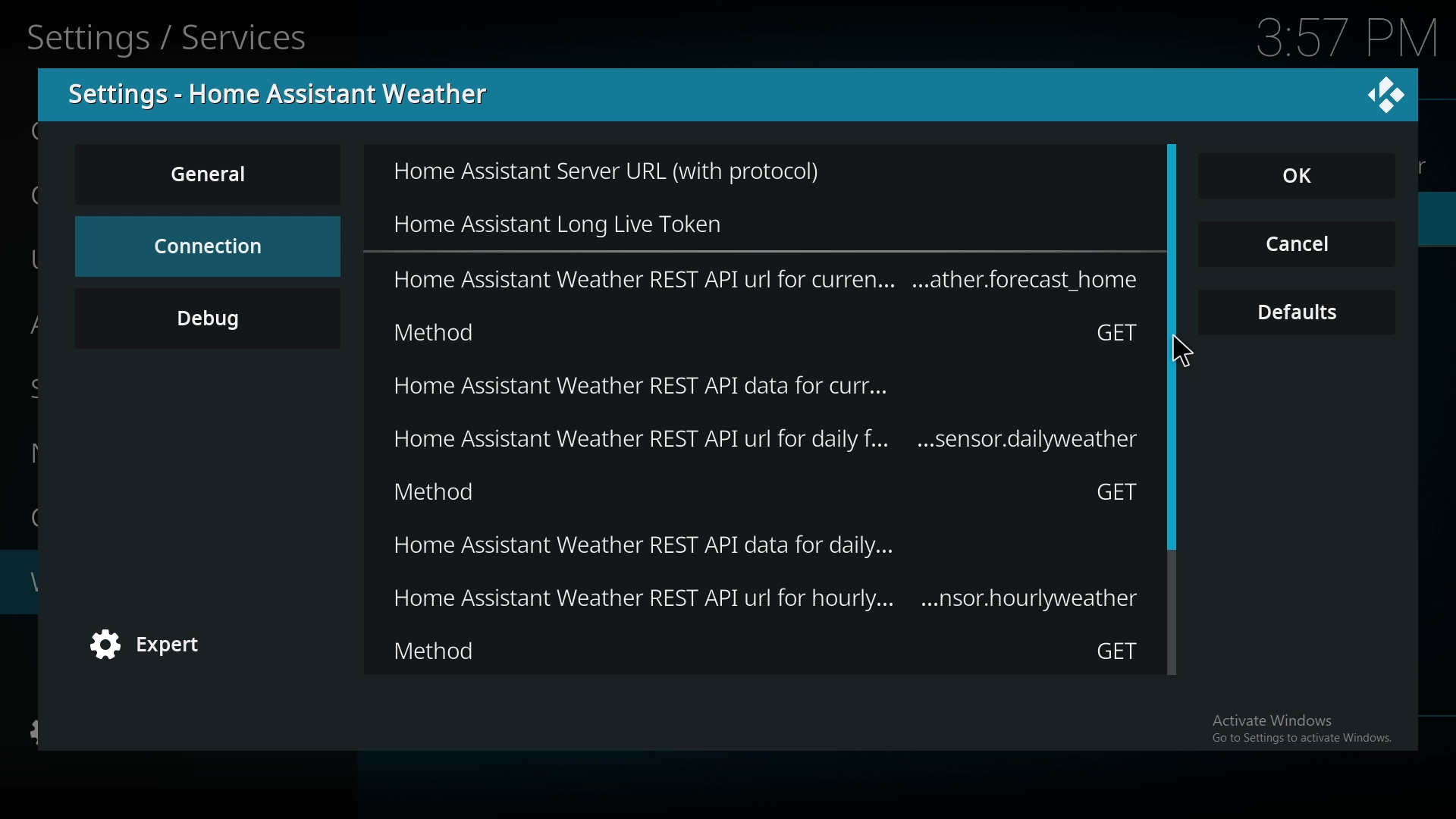  Describe the element at coordinates (211, 174) in the screenshot. I see `general` at that location.